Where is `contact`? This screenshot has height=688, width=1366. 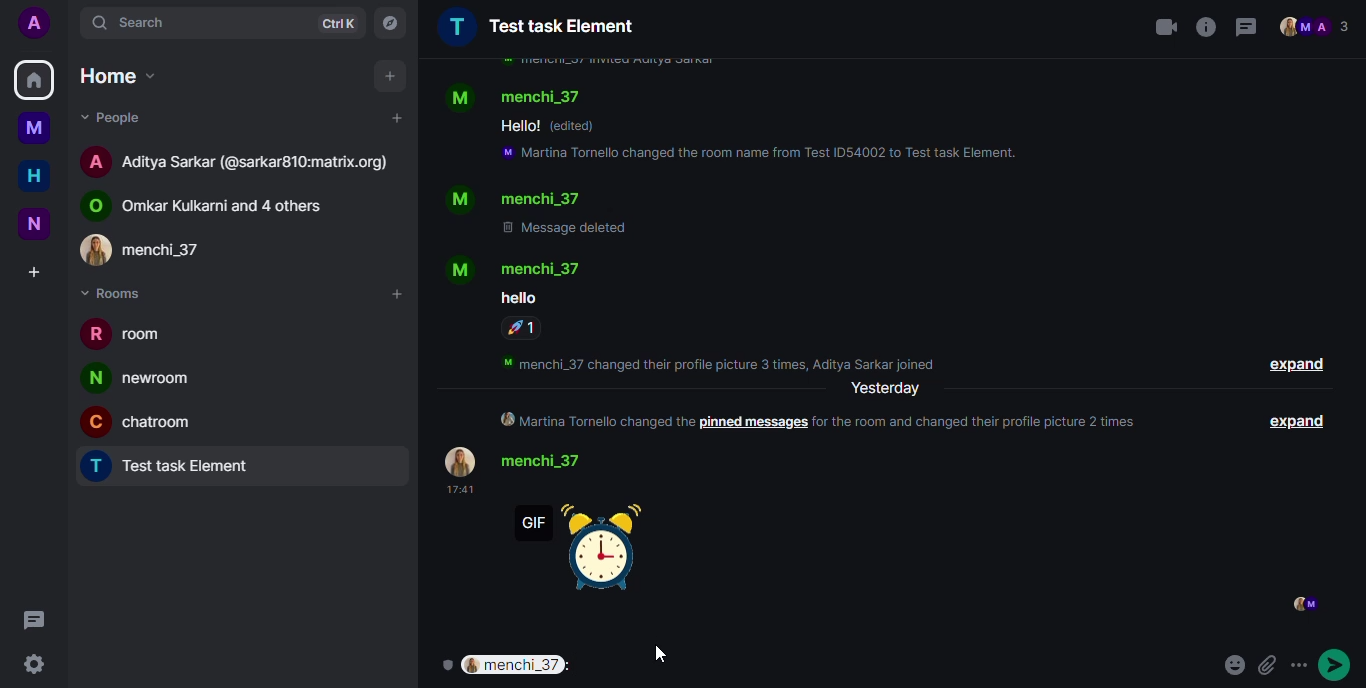 contact is located at coordinates (524, 461).